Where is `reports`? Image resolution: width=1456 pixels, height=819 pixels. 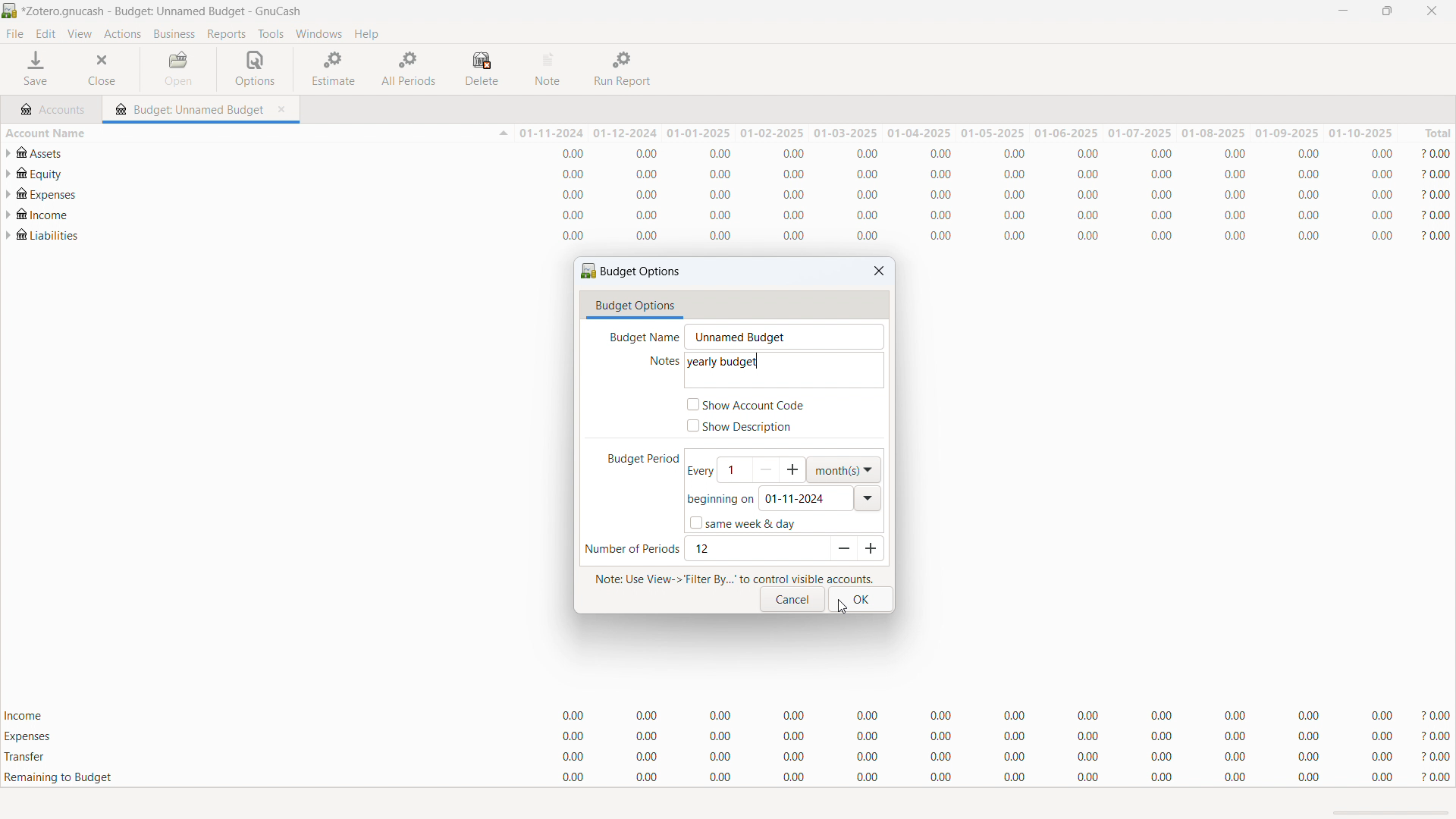 reports is located at coordinates (227, 34).